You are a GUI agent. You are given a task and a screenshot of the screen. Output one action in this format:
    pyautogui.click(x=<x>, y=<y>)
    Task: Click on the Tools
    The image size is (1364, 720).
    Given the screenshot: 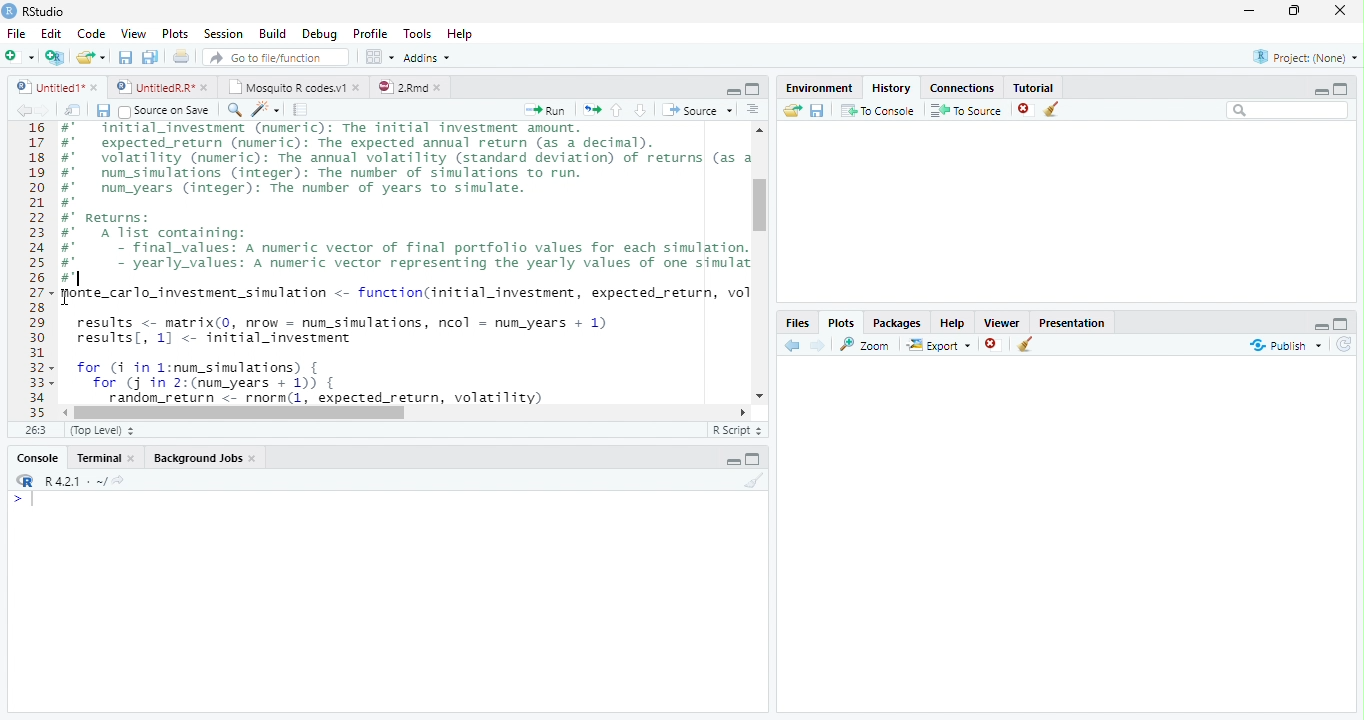 What is the action you would take?
    pyautogui.click(x=416, y=34)
    